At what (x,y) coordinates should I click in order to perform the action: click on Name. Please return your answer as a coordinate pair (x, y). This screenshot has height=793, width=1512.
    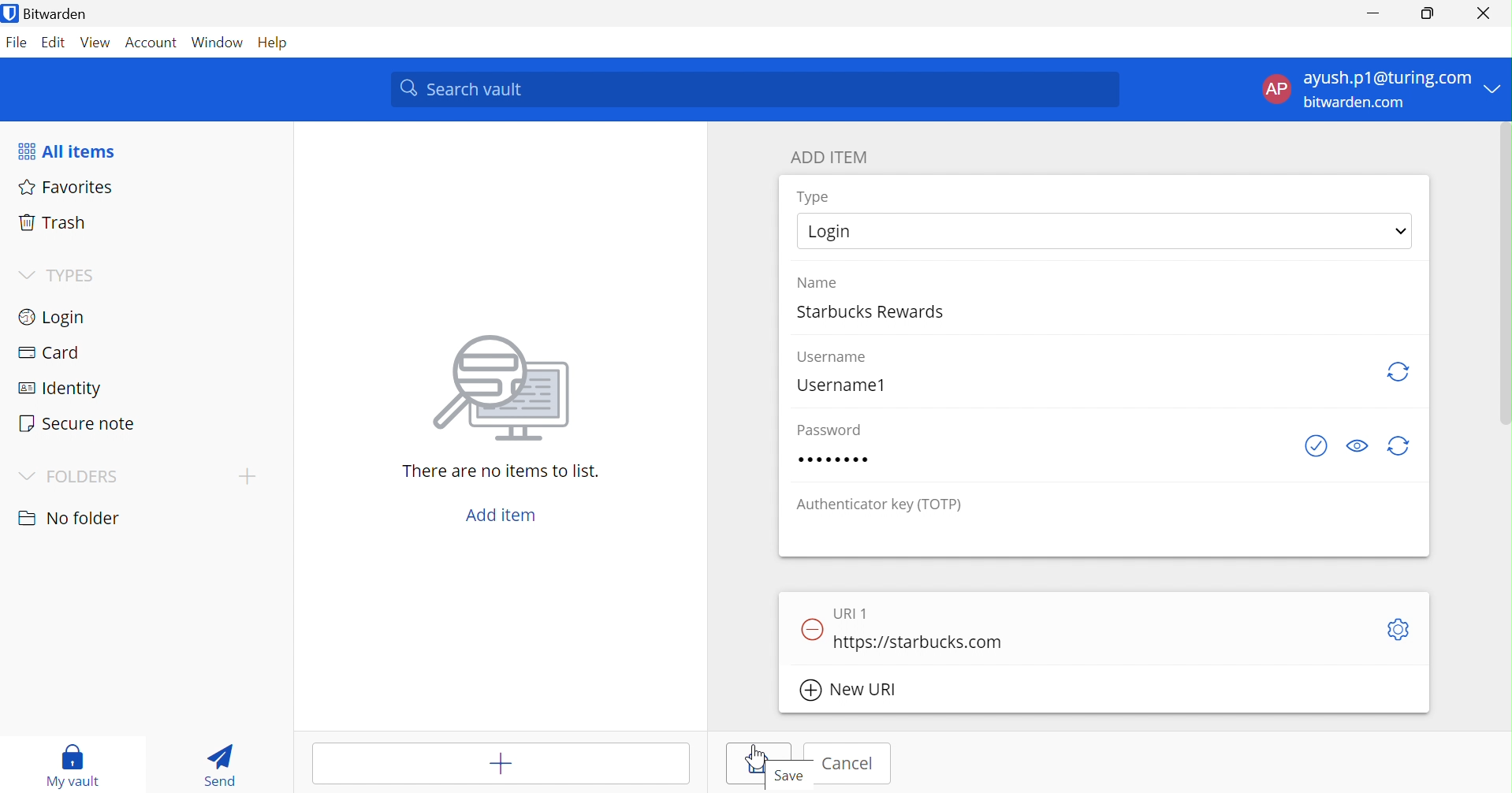
    Looking at the image, I should click on (817, 281).